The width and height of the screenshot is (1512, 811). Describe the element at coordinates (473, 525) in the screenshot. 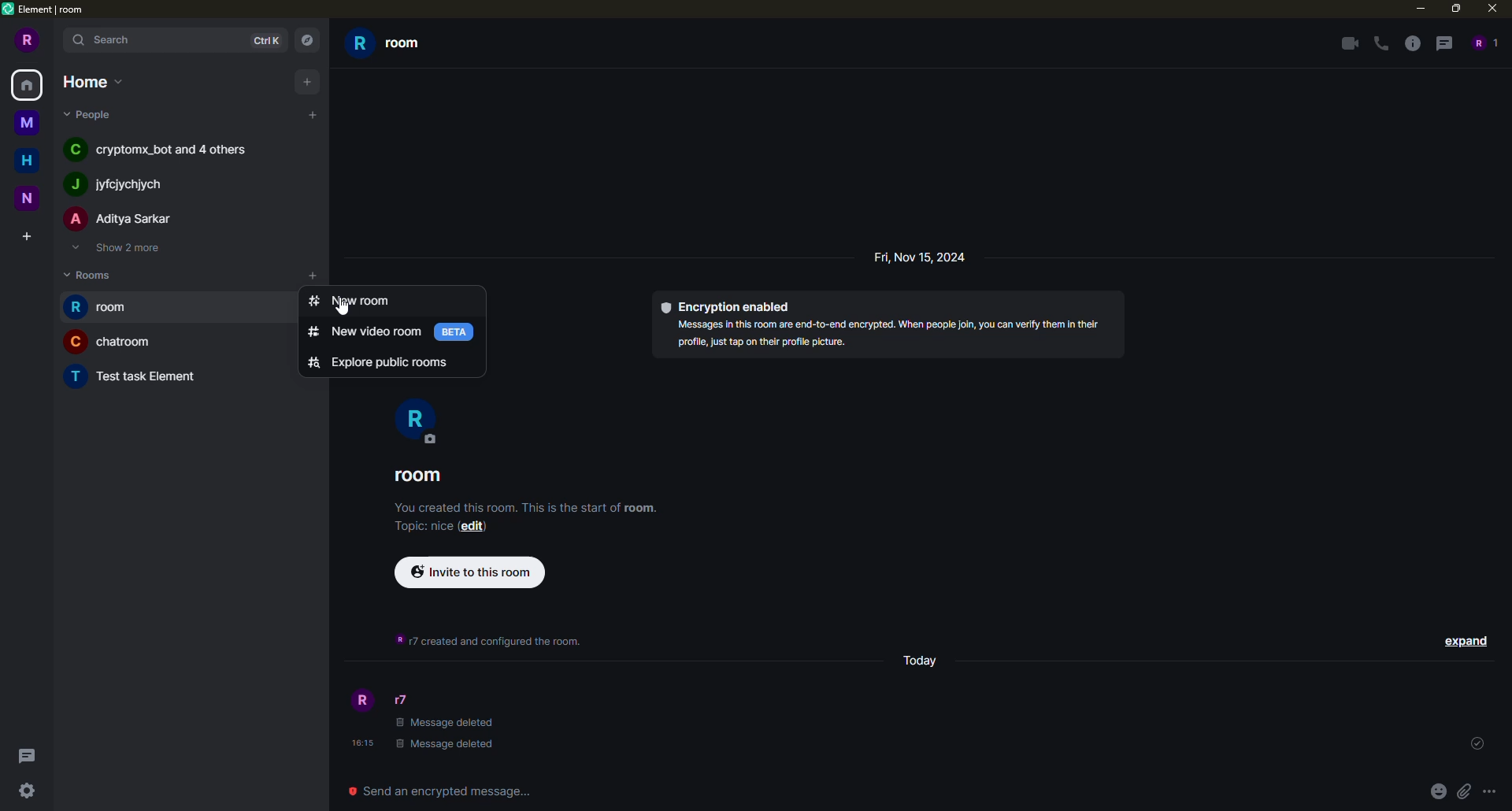

I see `edit` at that location.